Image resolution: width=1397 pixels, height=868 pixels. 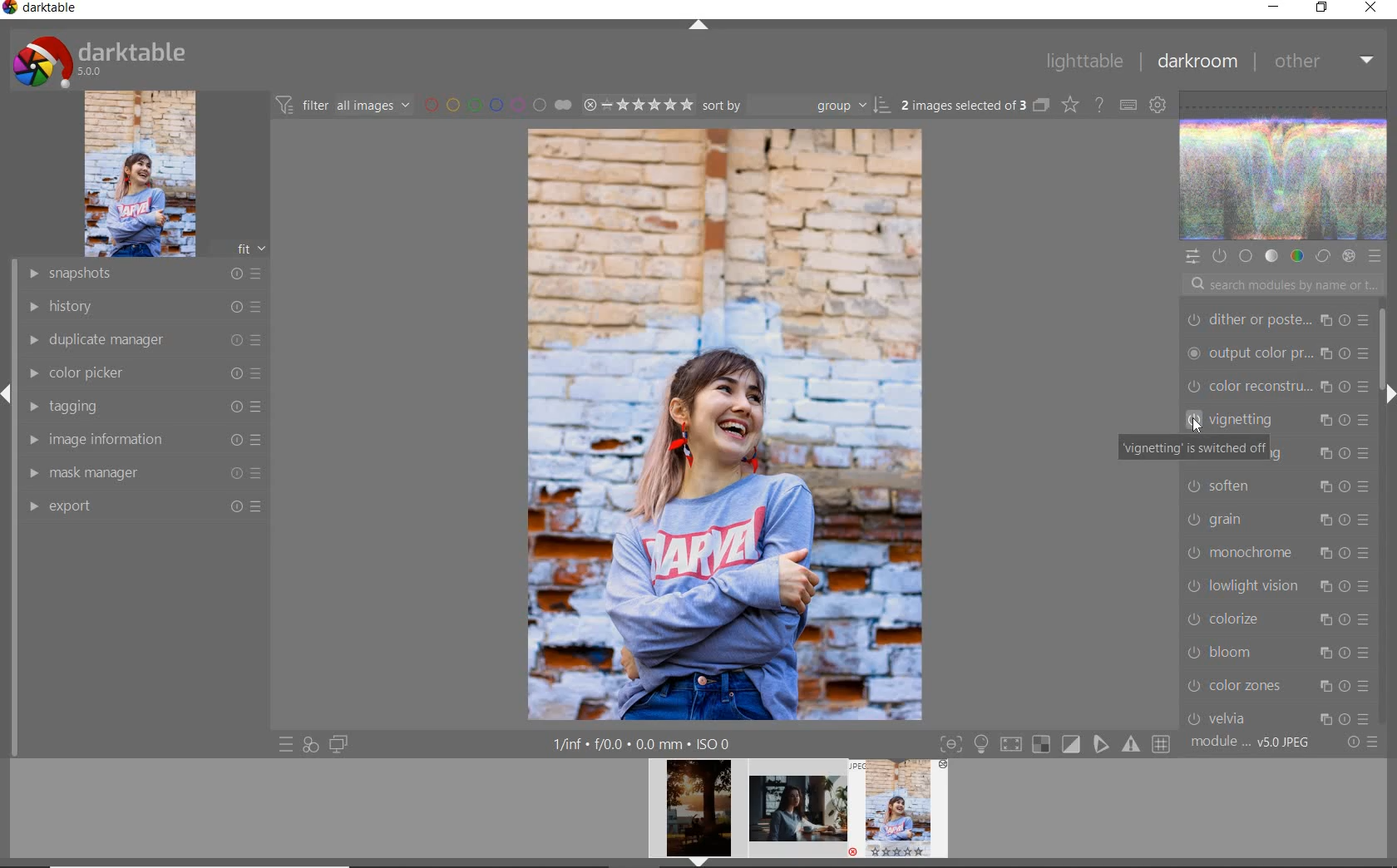 What do you see at coordinates (904, 813) in the screenshot?
I see `image preview` at bounding box center [904, 813].